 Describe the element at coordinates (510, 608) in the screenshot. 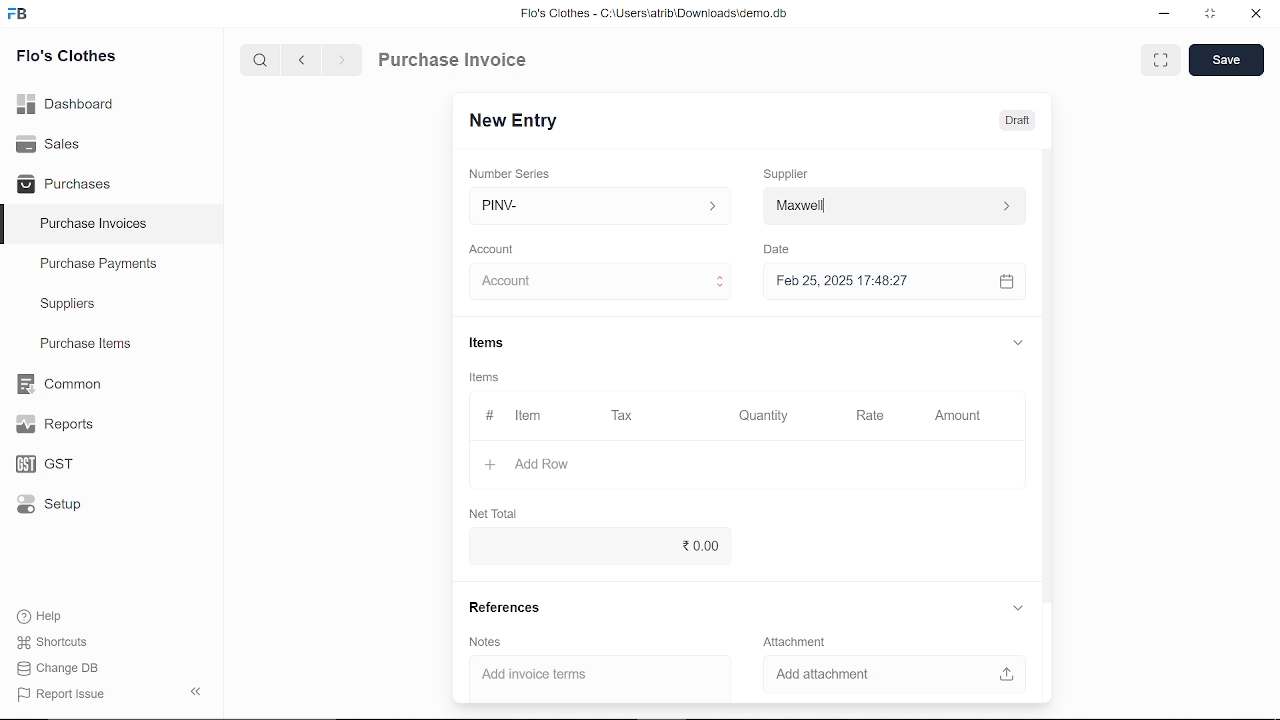

I see `References.` at that location.